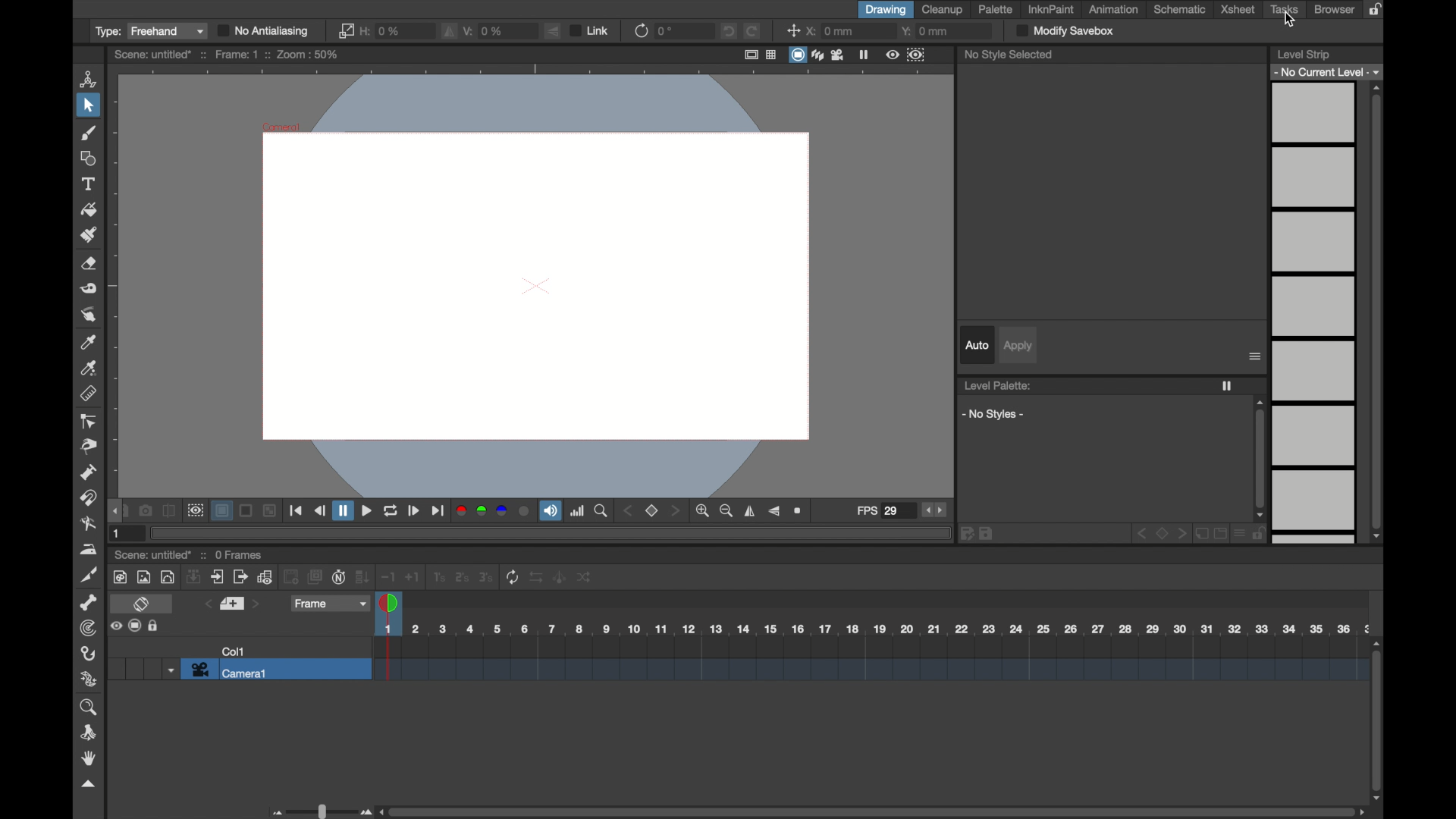  Describe the element at coordinates (169, 510) in the screenshot. I see `compare to snapshot` at that location.